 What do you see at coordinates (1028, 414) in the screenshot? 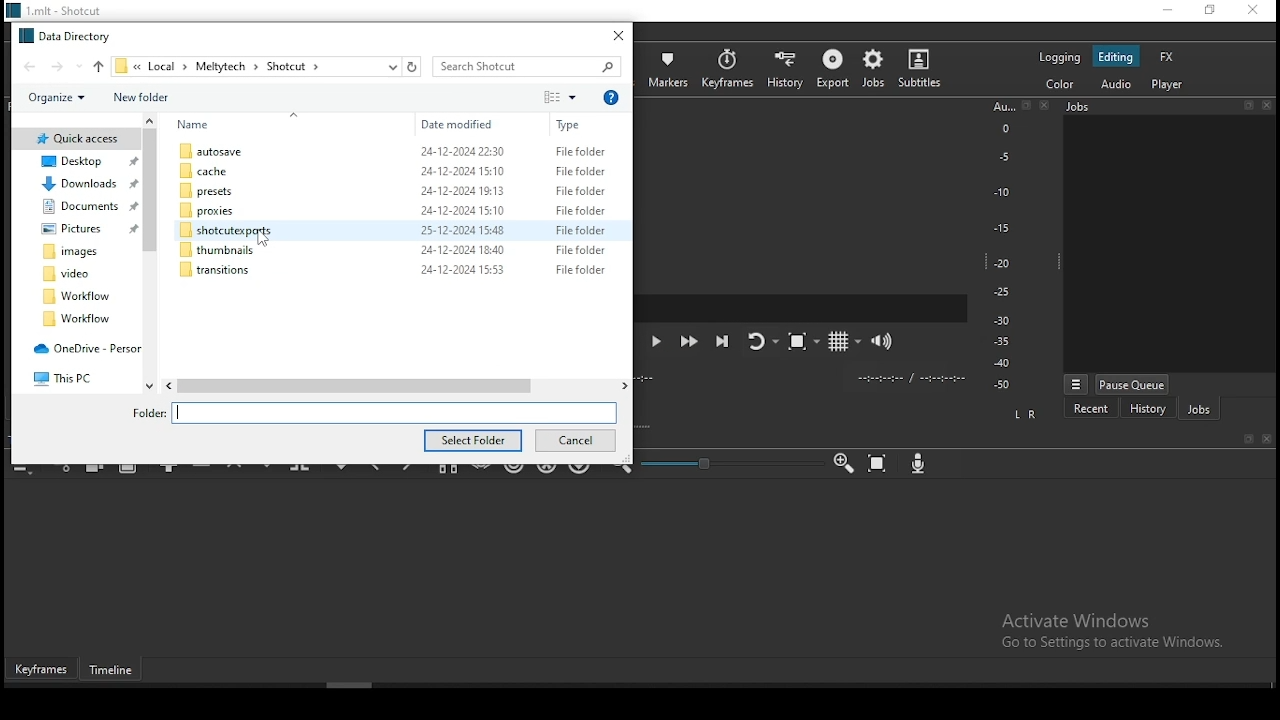
I see `Left and Right` at bounding box center [1028, 414].